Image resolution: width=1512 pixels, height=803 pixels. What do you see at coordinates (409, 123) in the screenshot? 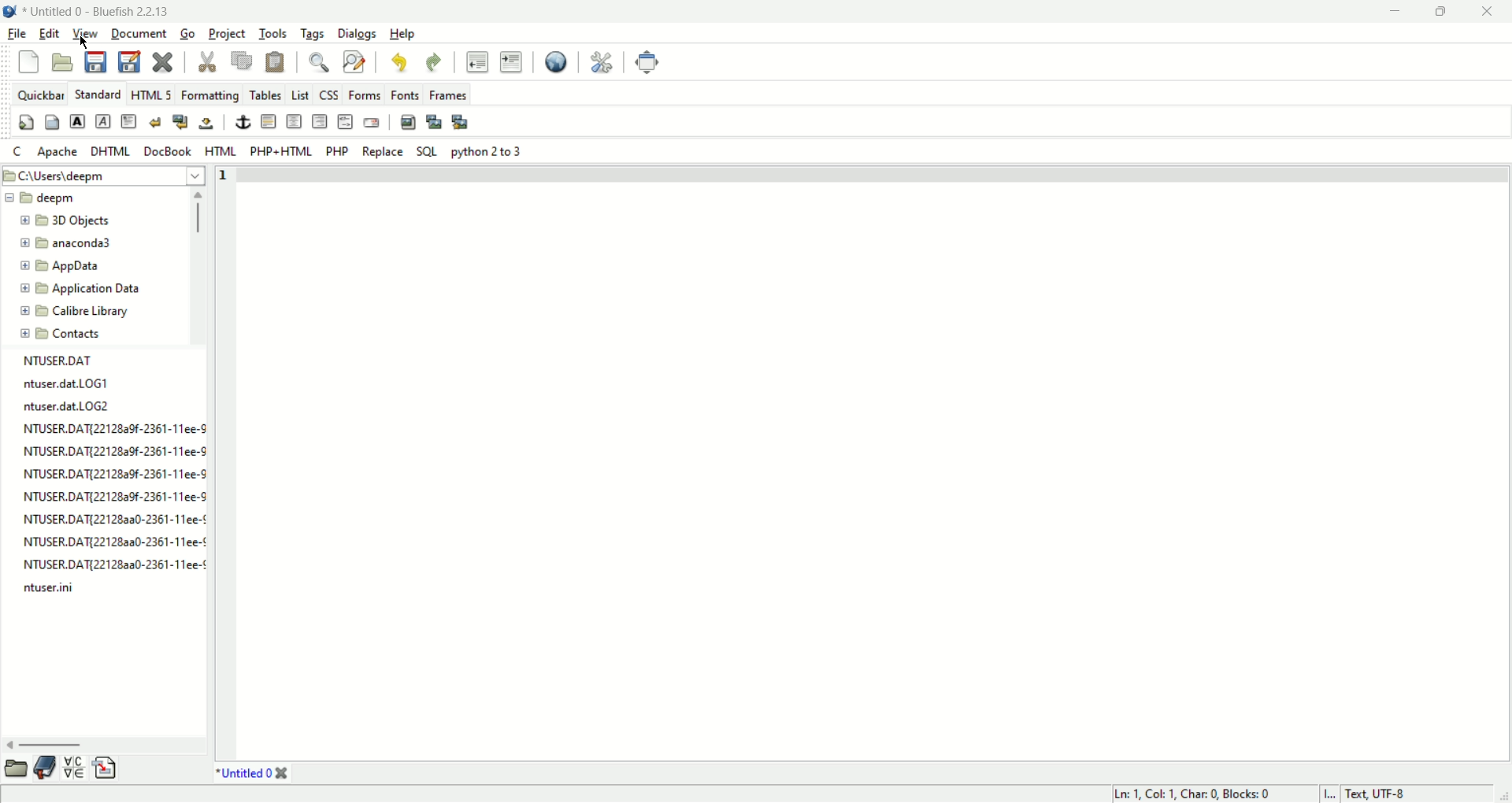
I see `insert image ` at bounding box center [409, 123].